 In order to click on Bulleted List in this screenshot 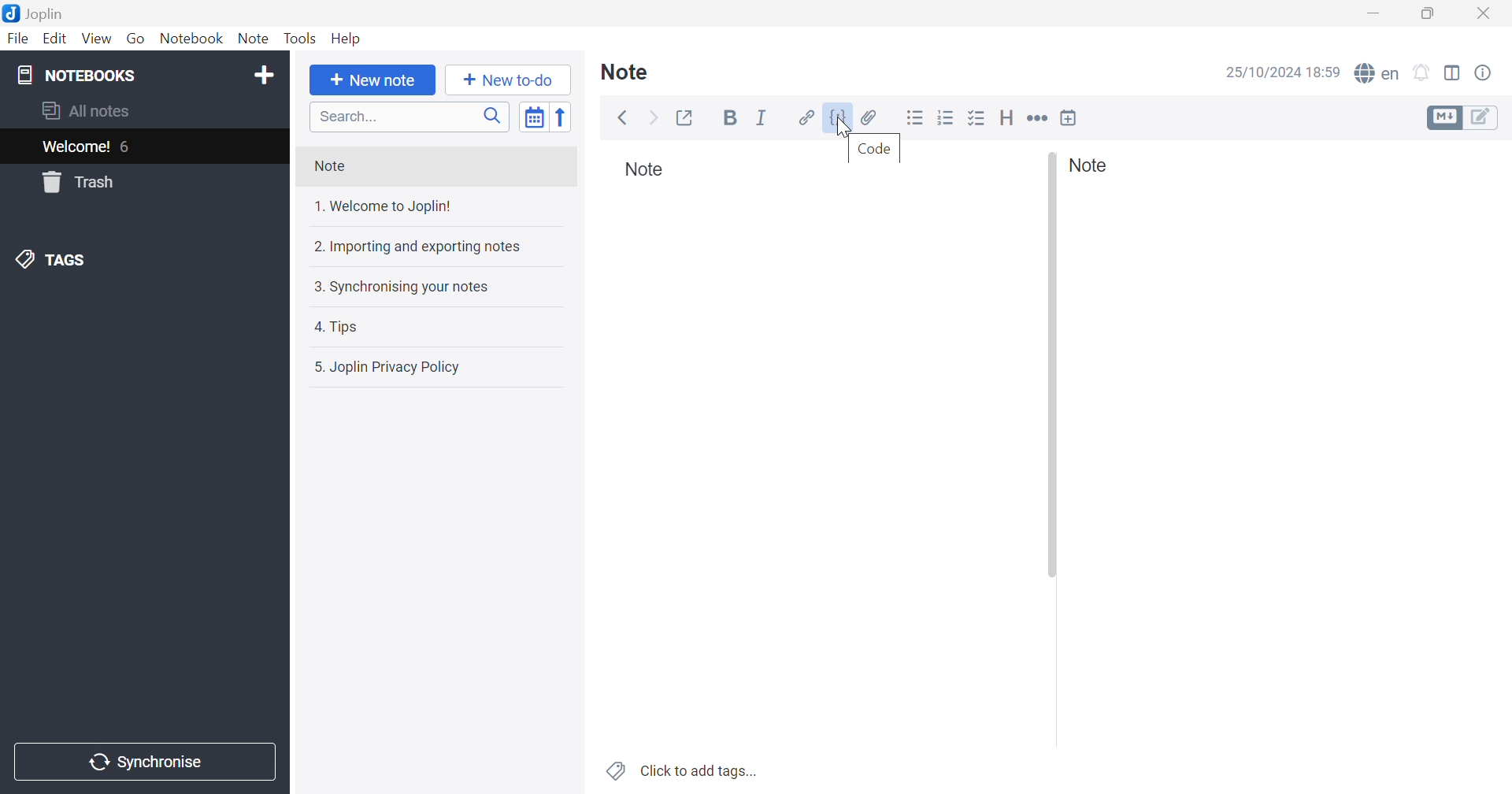, I will do `click(914, 119)`.